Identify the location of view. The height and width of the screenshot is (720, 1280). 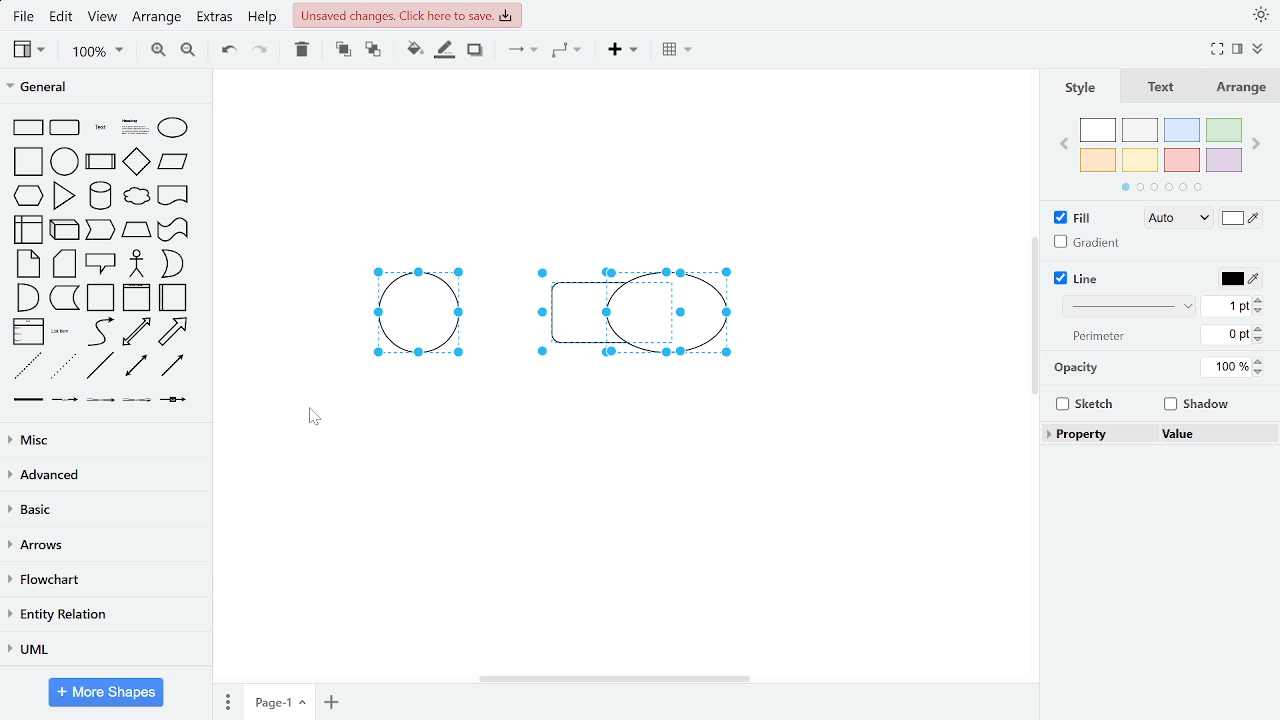
(30, 50).